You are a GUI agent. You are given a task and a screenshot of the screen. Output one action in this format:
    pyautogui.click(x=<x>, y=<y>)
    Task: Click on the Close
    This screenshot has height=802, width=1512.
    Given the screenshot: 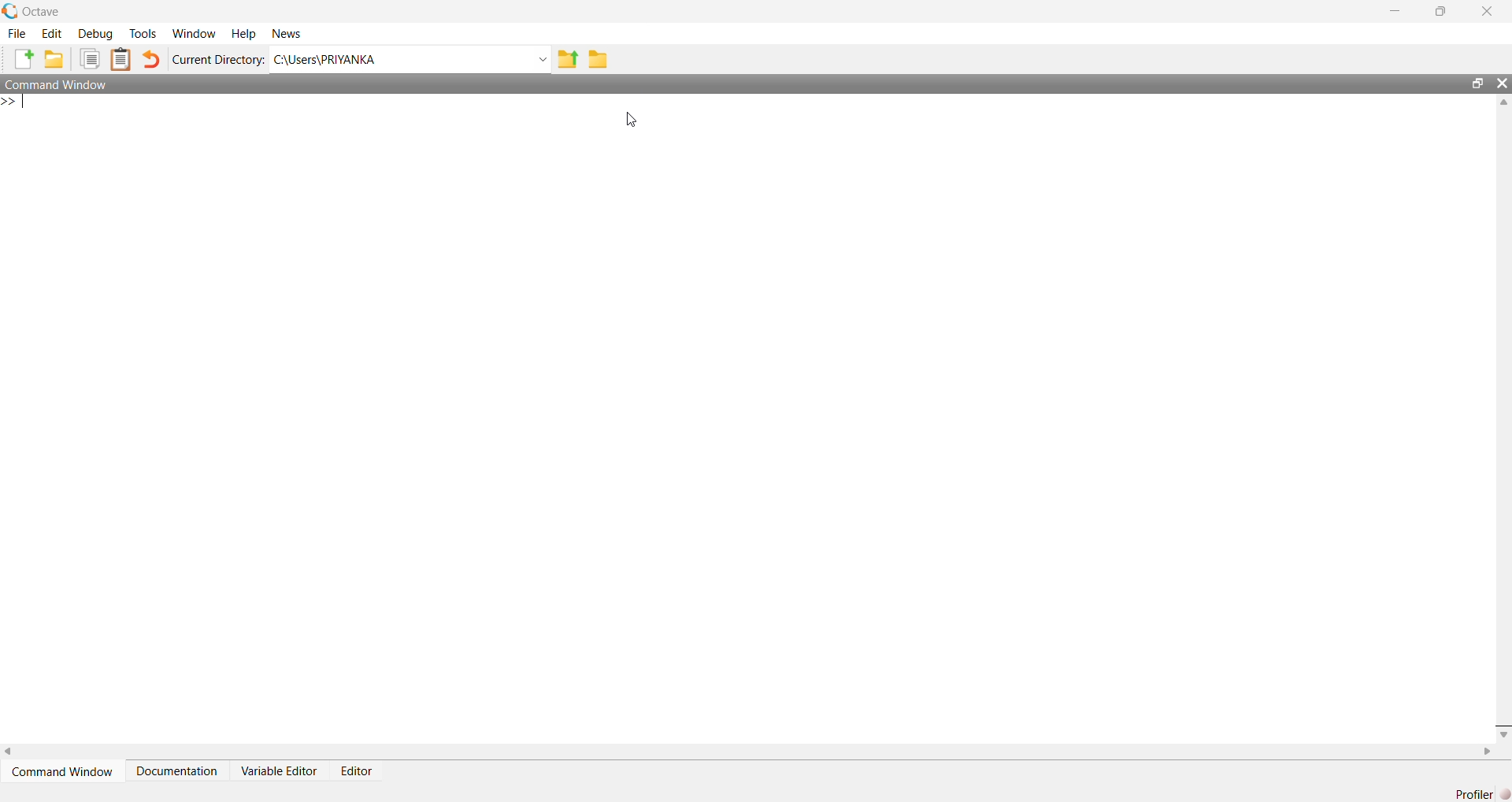 What is the action you would take?
    pyautogui.click(x=1484, y=12)
    